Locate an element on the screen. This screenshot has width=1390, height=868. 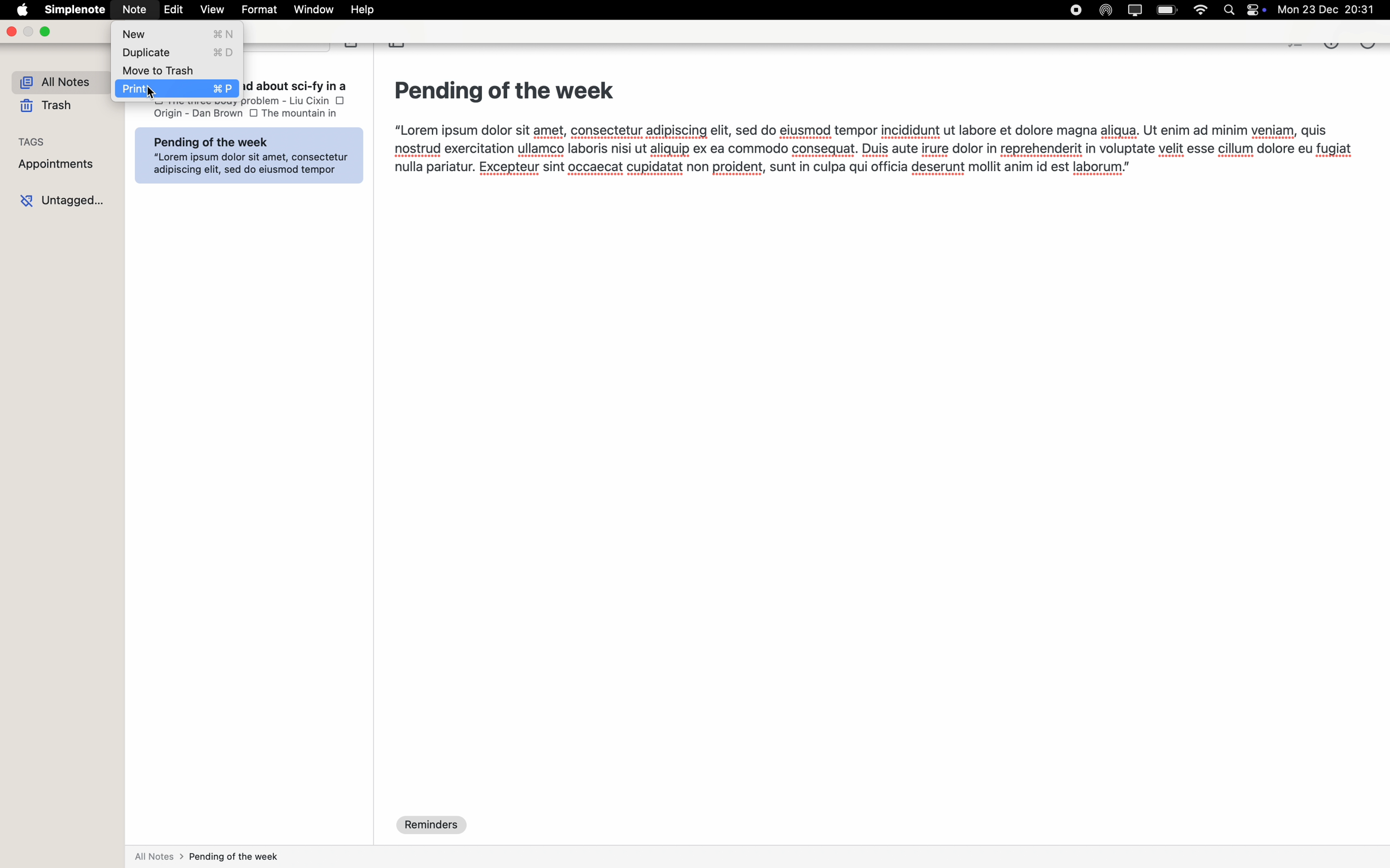
help is located at coordinates (366, 10).